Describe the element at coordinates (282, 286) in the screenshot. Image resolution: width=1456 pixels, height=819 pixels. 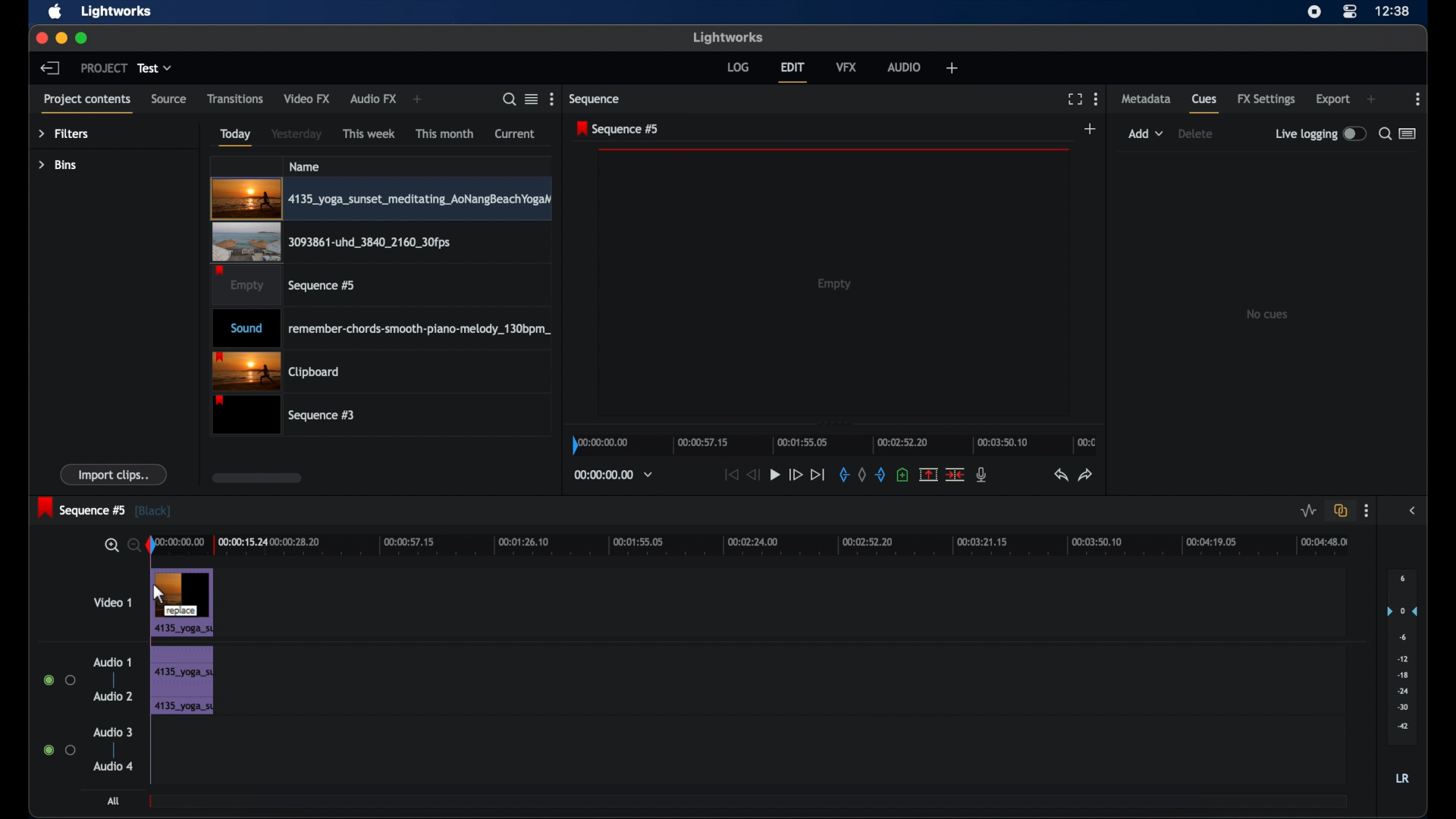
I see `video clip` at that location.